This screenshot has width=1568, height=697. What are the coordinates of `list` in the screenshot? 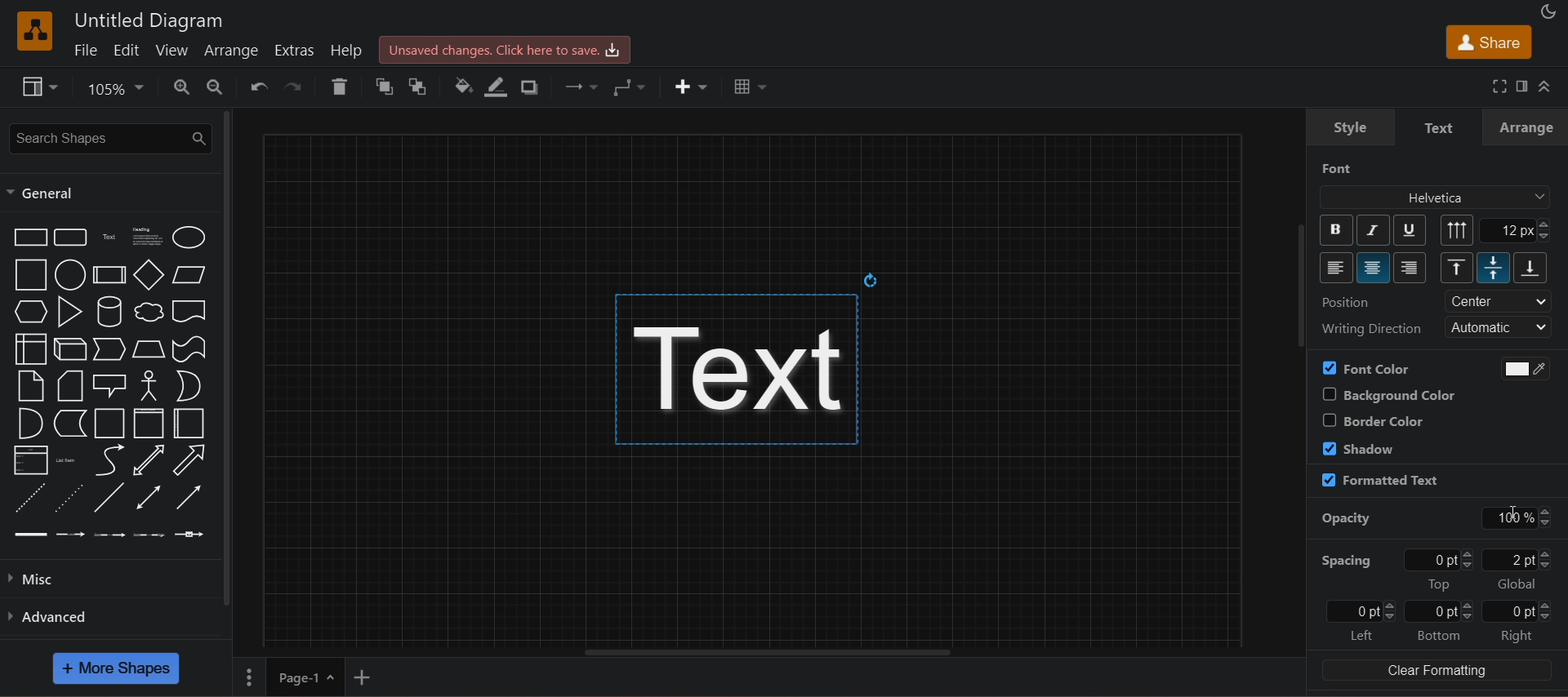 It's located at (31, 459).